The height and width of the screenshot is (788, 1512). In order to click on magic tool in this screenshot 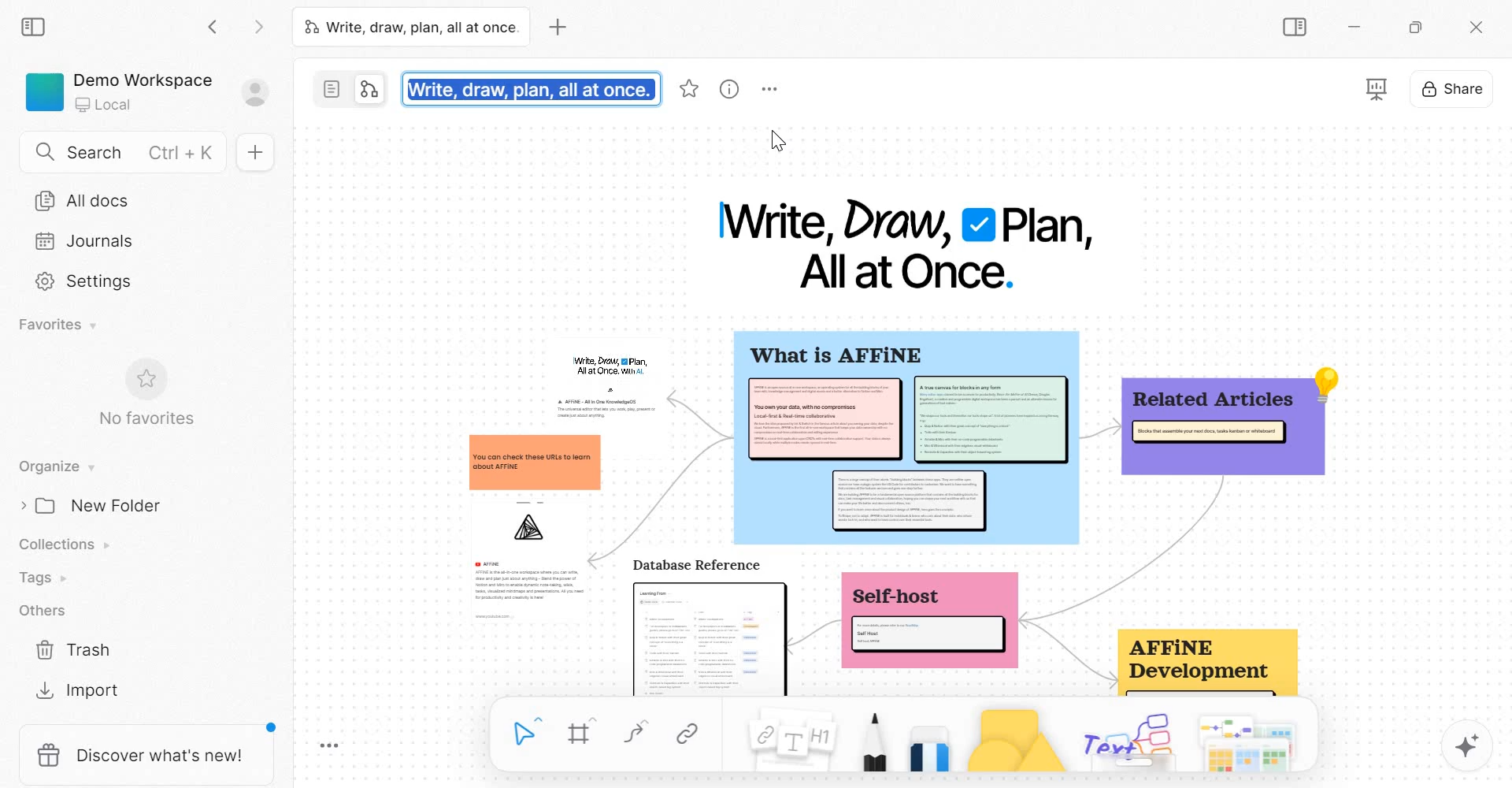, I will do `click(1466, 748)`.